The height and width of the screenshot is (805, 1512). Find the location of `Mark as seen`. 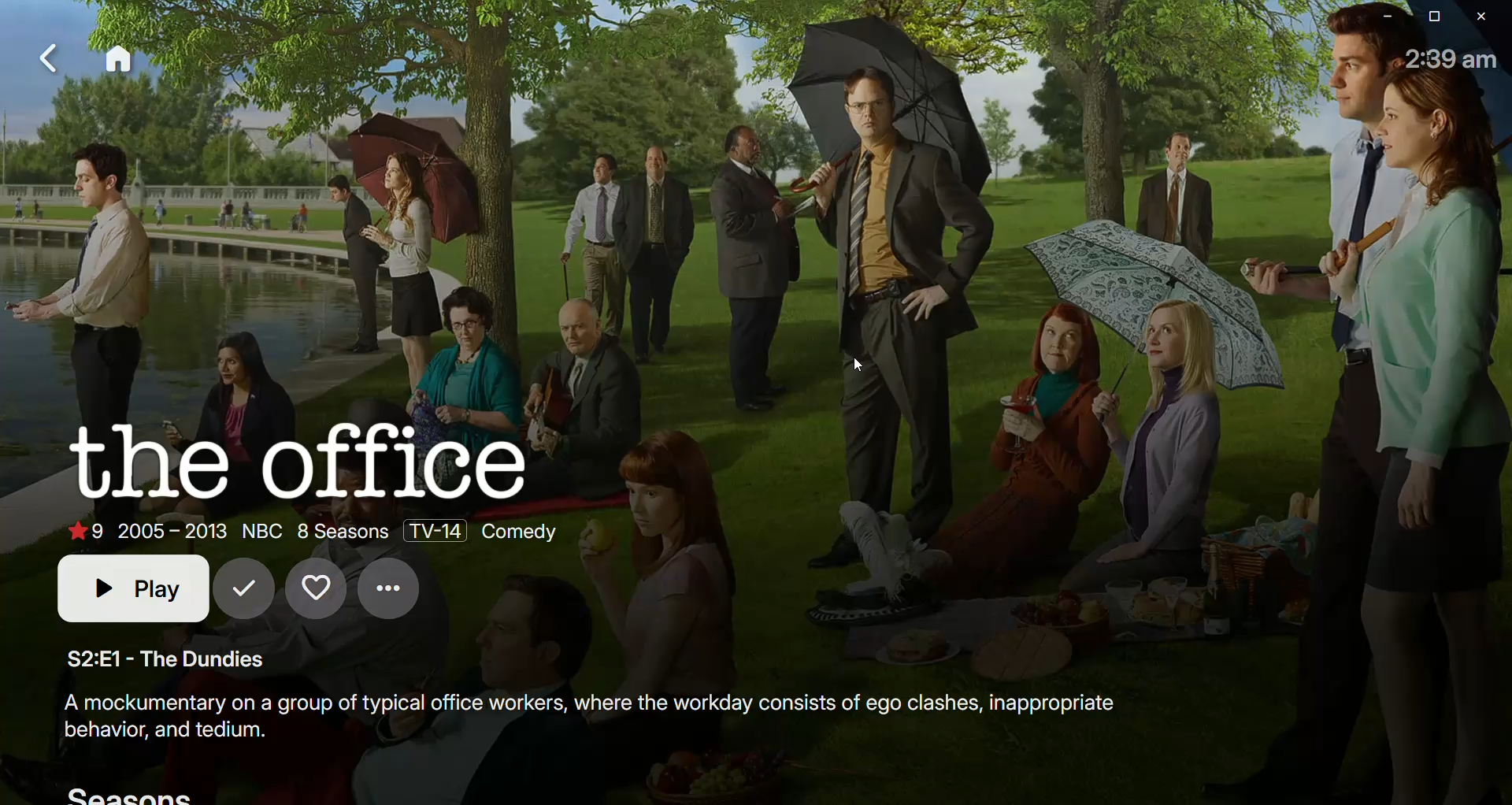

Mark as seen is located at coordinates (243, 595).